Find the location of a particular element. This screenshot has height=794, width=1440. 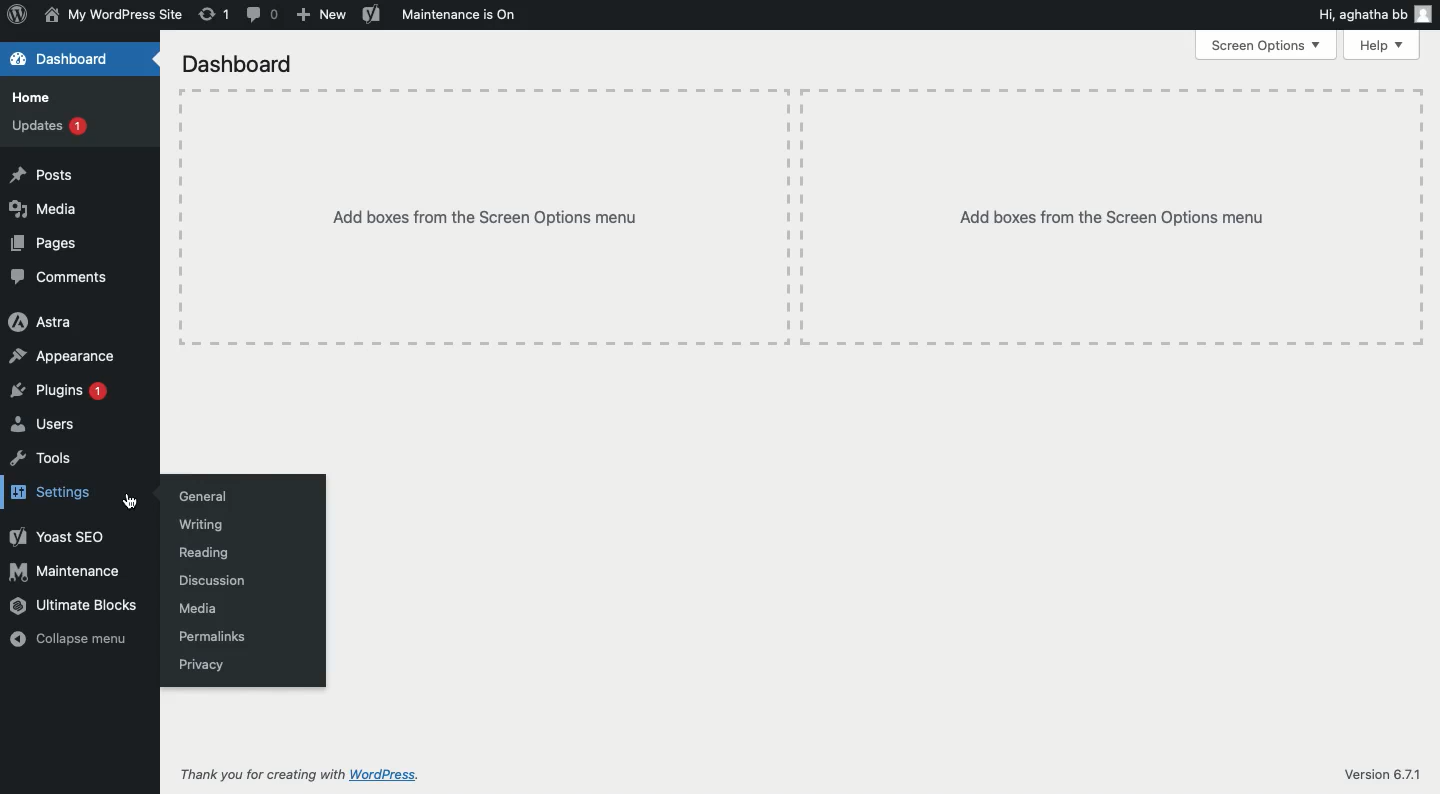

Home is located at coordinates (32, 99).